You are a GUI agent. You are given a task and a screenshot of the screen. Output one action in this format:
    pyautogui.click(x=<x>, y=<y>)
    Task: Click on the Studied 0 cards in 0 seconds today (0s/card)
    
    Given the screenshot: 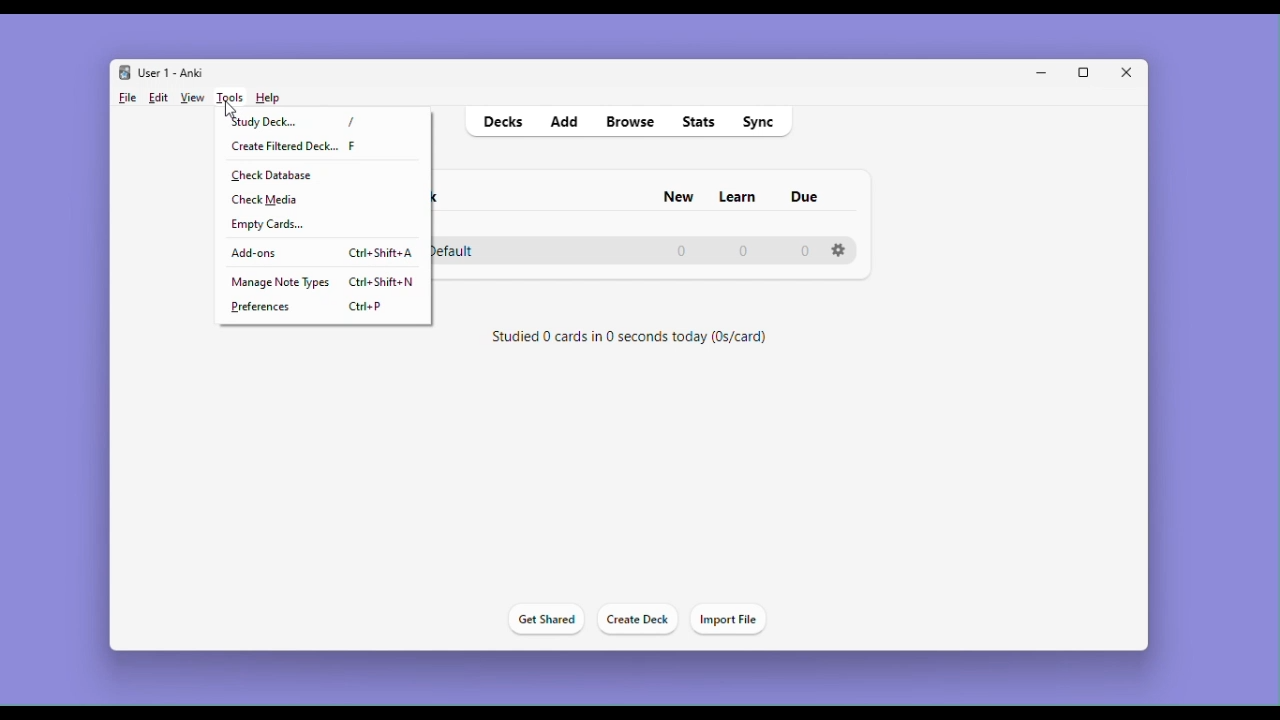 What is the action you would take?
    pyautogui.click(x=637, y=340)
    